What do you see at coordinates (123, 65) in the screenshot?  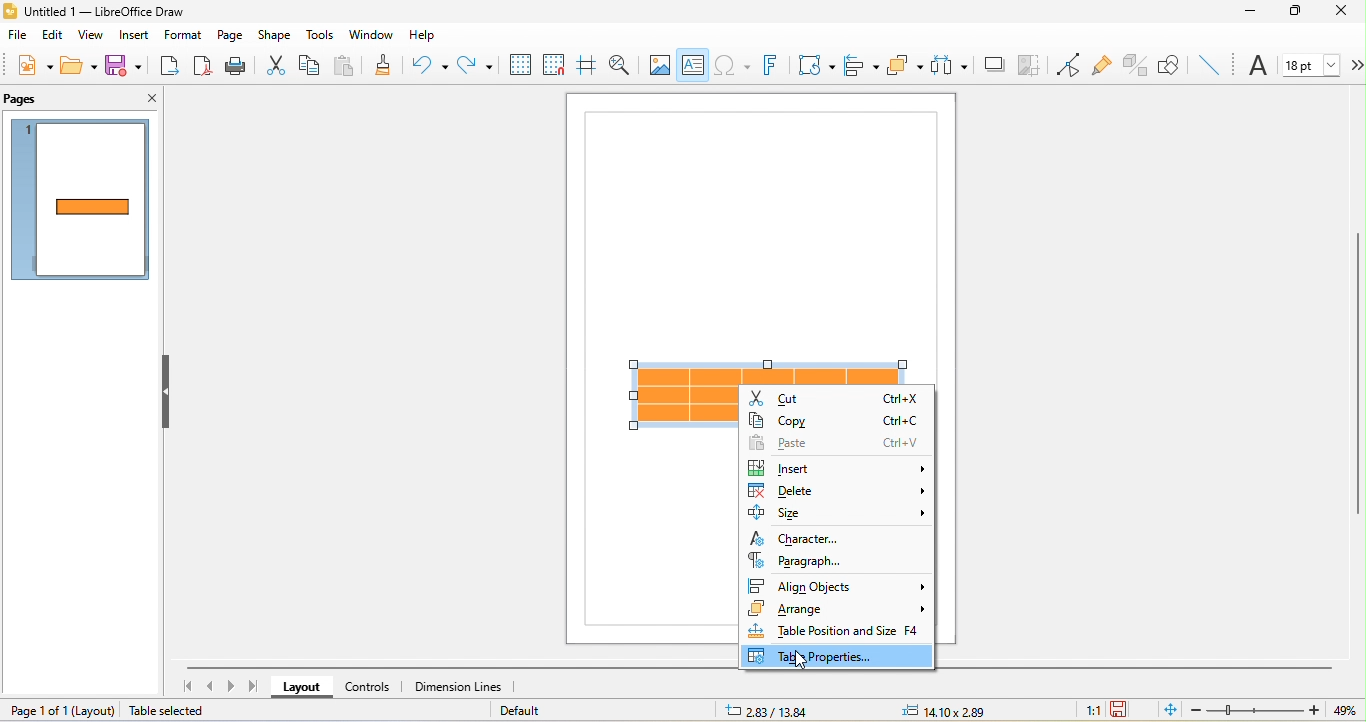 I see `save` at bounding box center [123, 65].